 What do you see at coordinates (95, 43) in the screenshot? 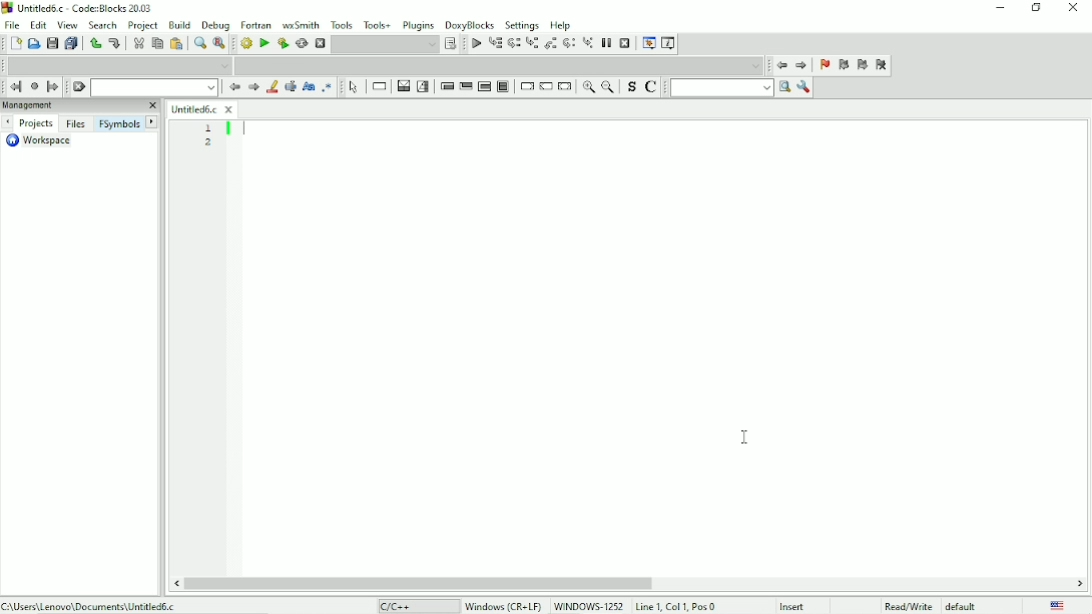
I see `undo` at bounding box center [95, 43].